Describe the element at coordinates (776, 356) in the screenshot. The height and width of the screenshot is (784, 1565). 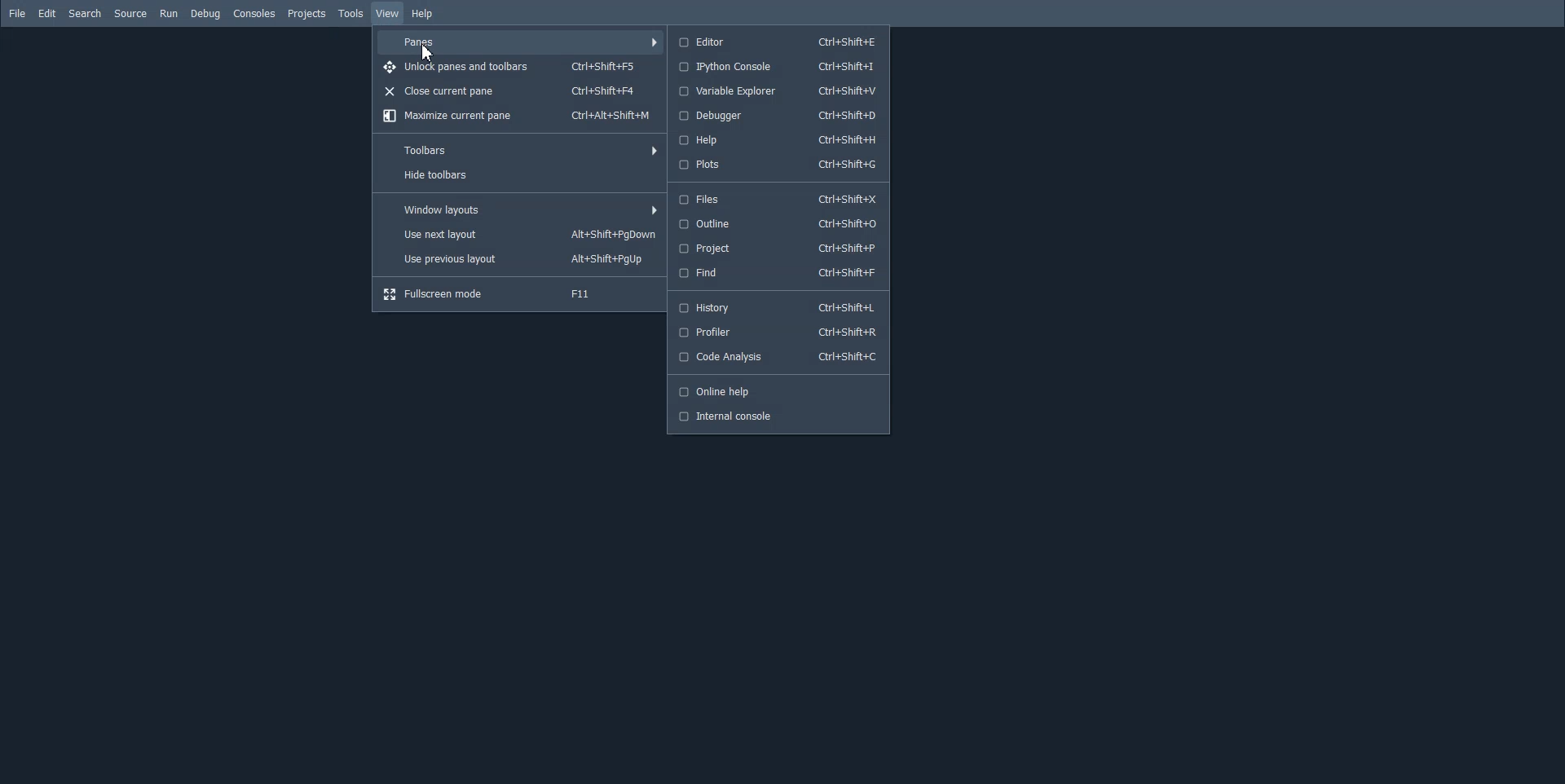
I see `Code Analysis` at that location.